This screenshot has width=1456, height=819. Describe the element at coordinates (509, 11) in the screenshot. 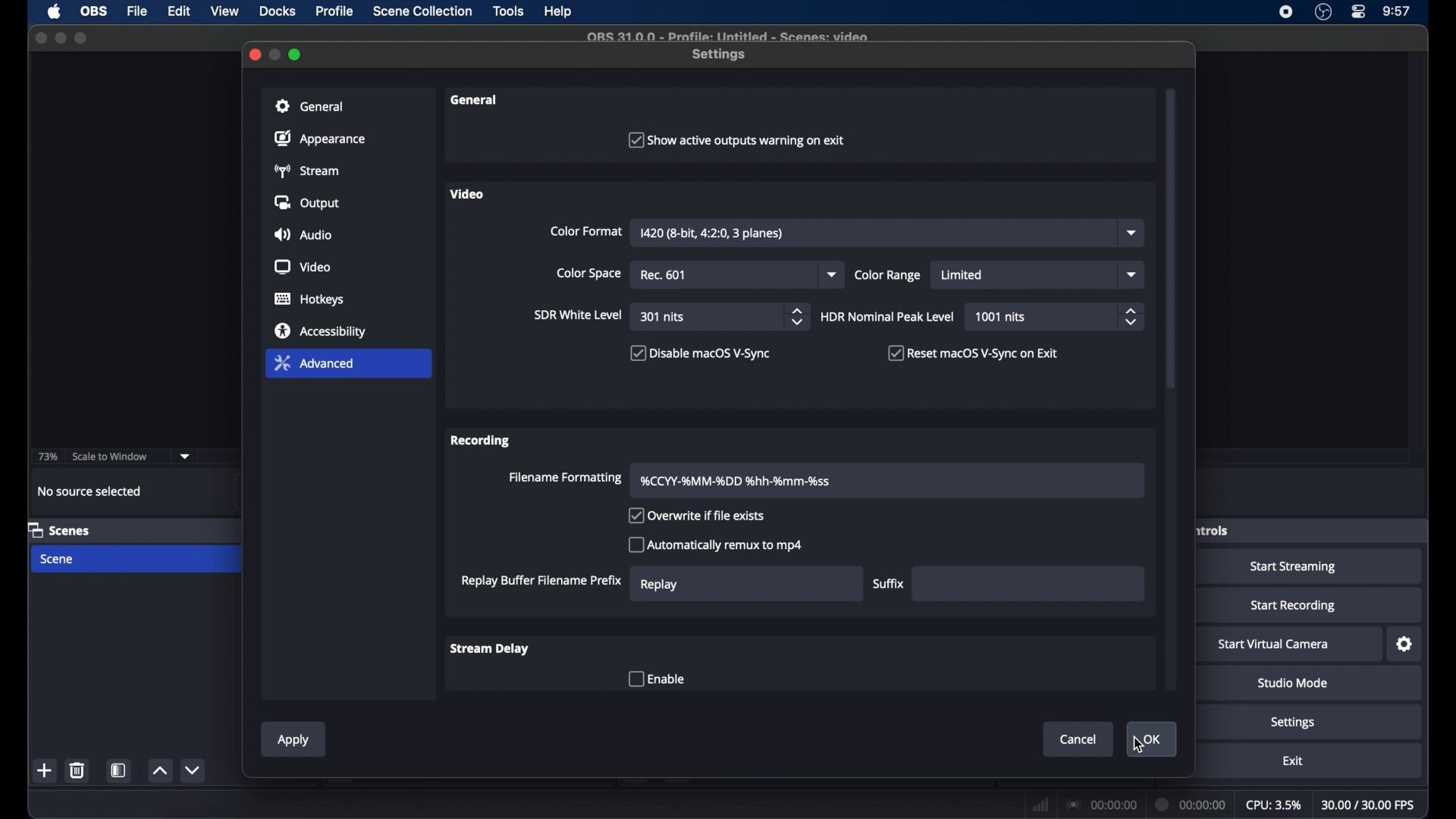

I see `tools` at that location.